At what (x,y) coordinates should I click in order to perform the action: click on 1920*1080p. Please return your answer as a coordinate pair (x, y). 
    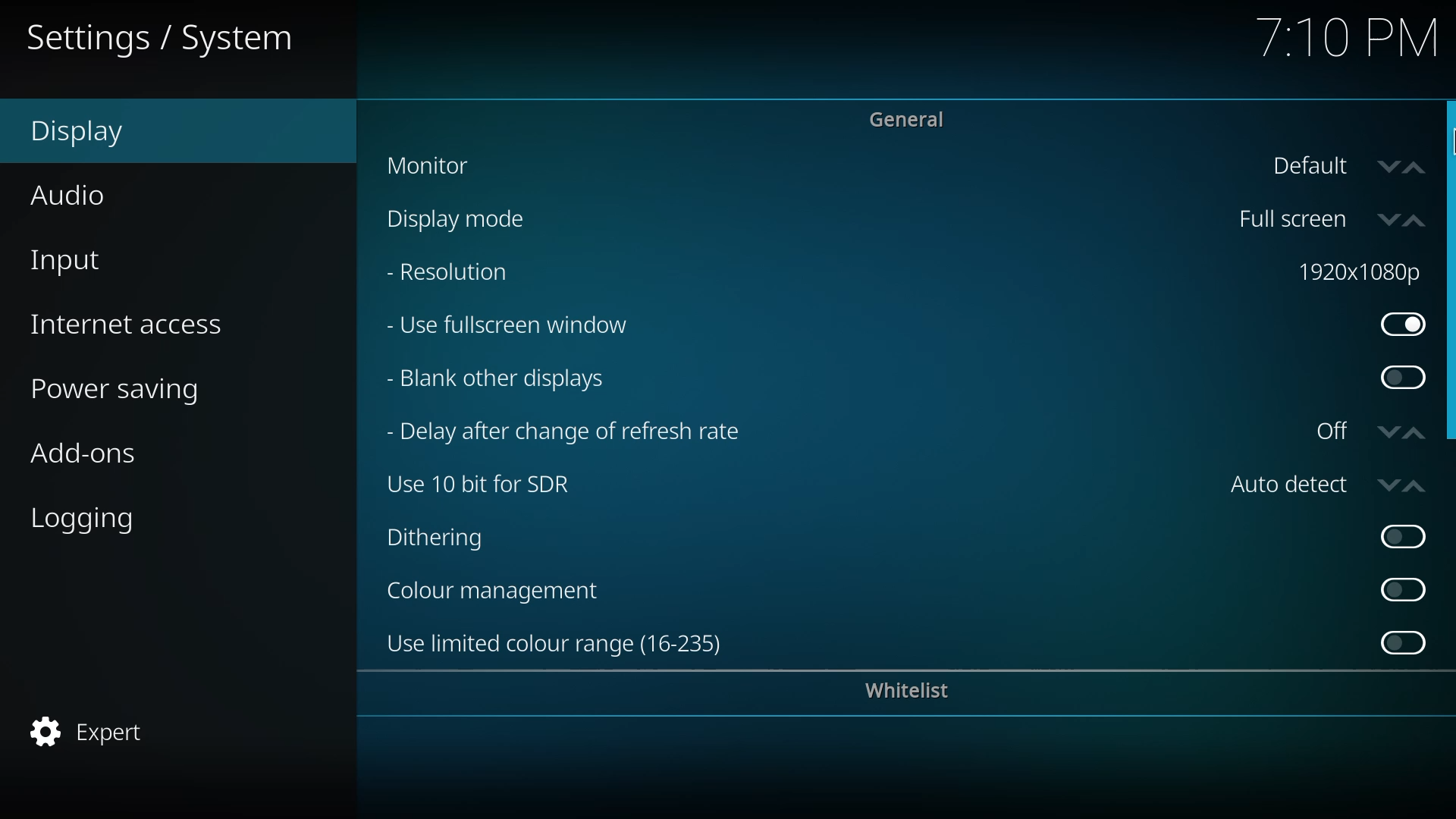
    Looking at the image, I should click on (1363, 274).